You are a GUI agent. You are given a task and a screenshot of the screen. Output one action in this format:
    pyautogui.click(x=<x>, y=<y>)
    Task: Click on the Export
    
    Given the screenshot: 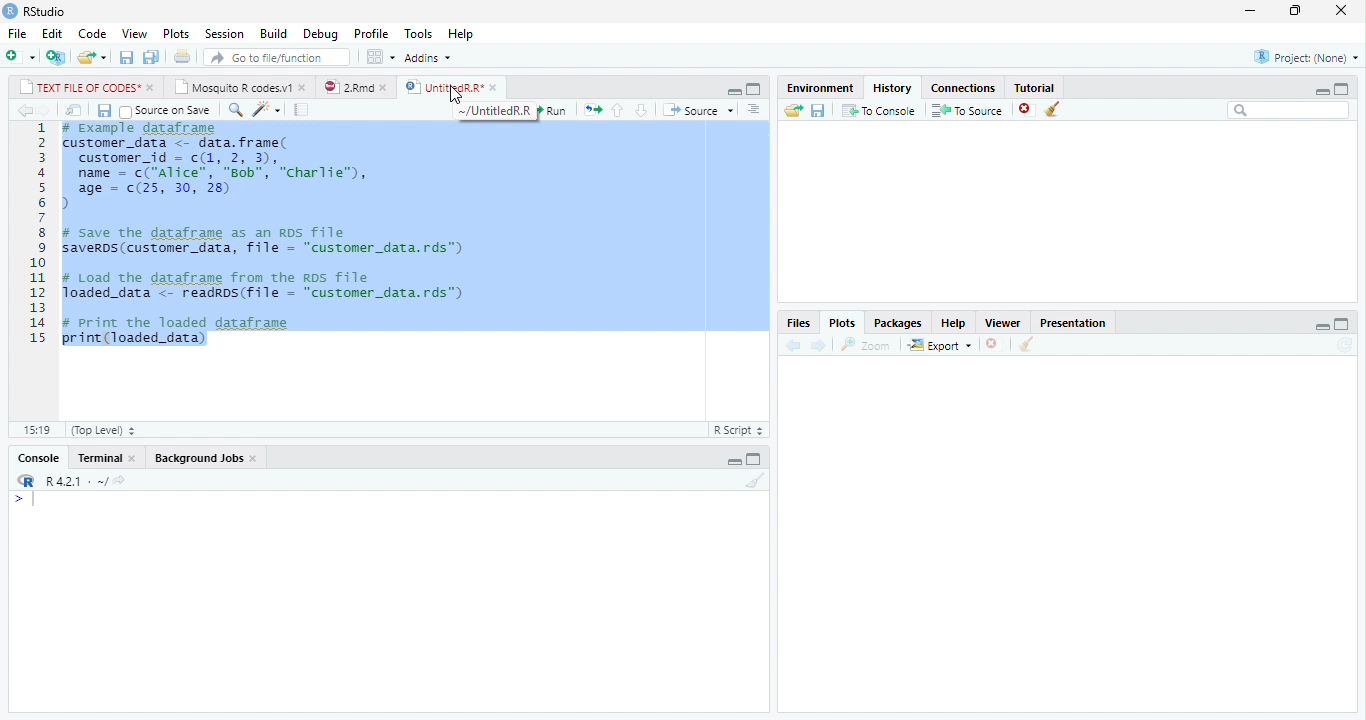 What is the action you would take?
    pyautogui.click(x=939, y=345)
    